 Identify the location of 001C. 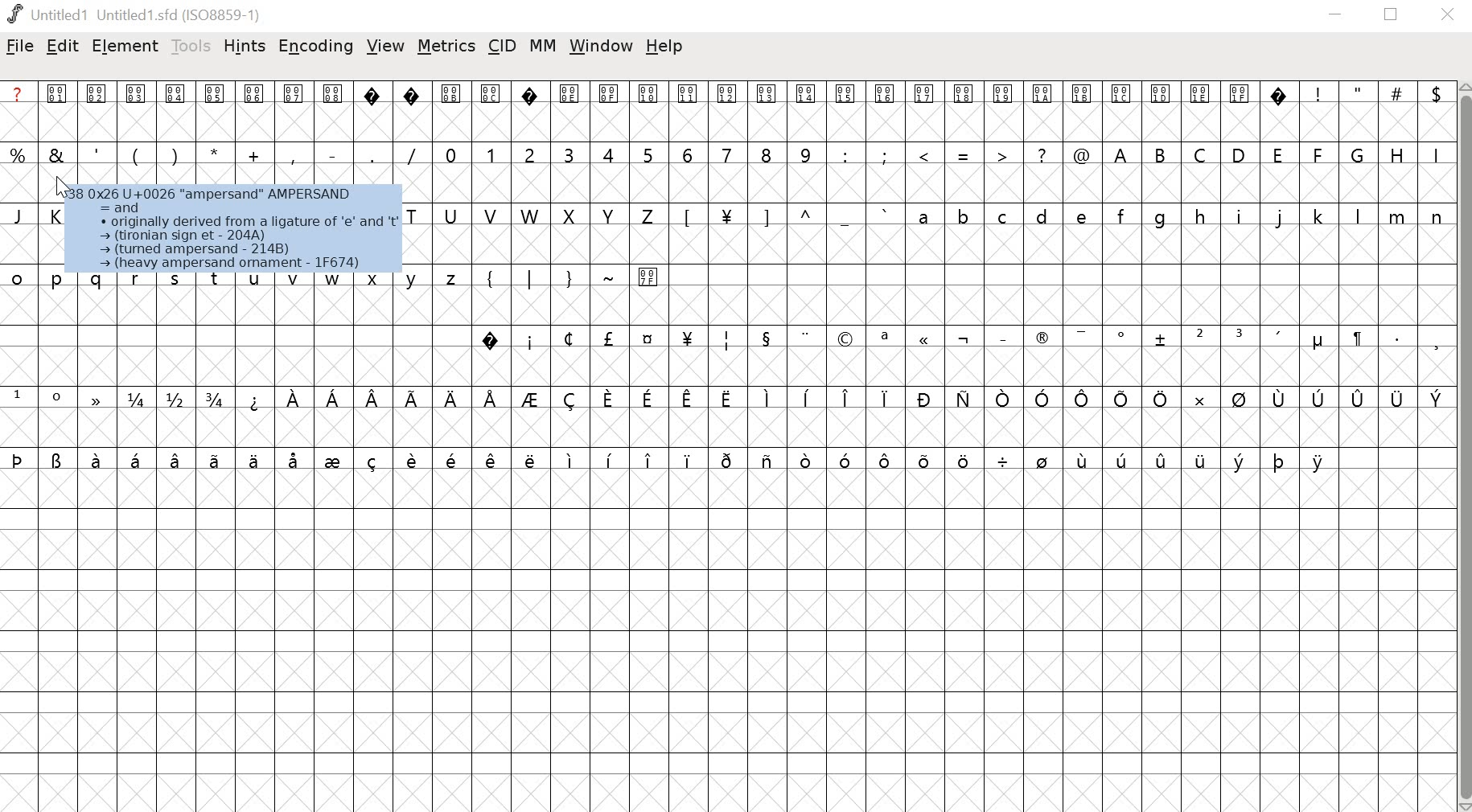
(1122, 113).